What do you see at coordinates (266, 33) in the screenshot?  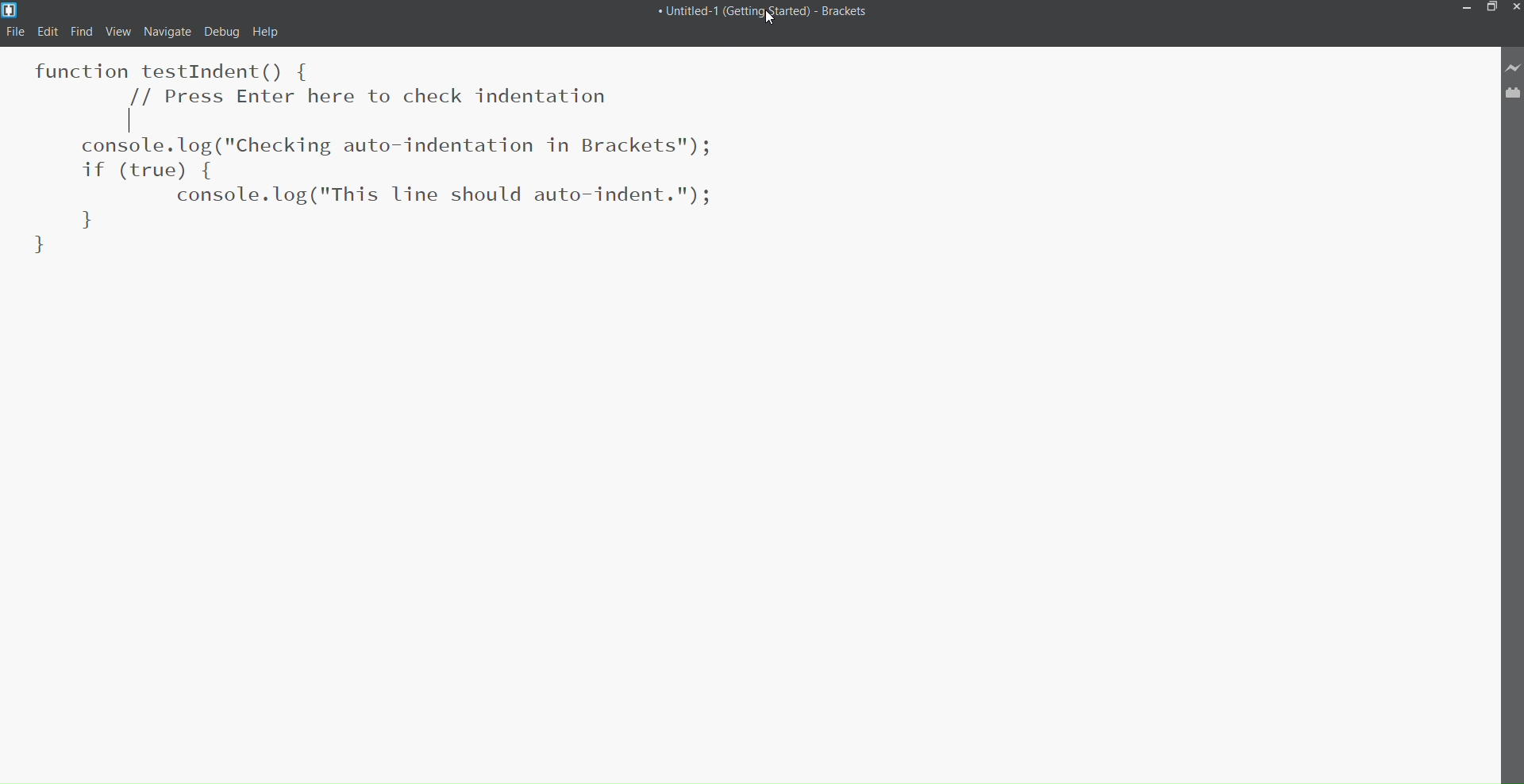 I see `help` at bounding box center [266, 33].